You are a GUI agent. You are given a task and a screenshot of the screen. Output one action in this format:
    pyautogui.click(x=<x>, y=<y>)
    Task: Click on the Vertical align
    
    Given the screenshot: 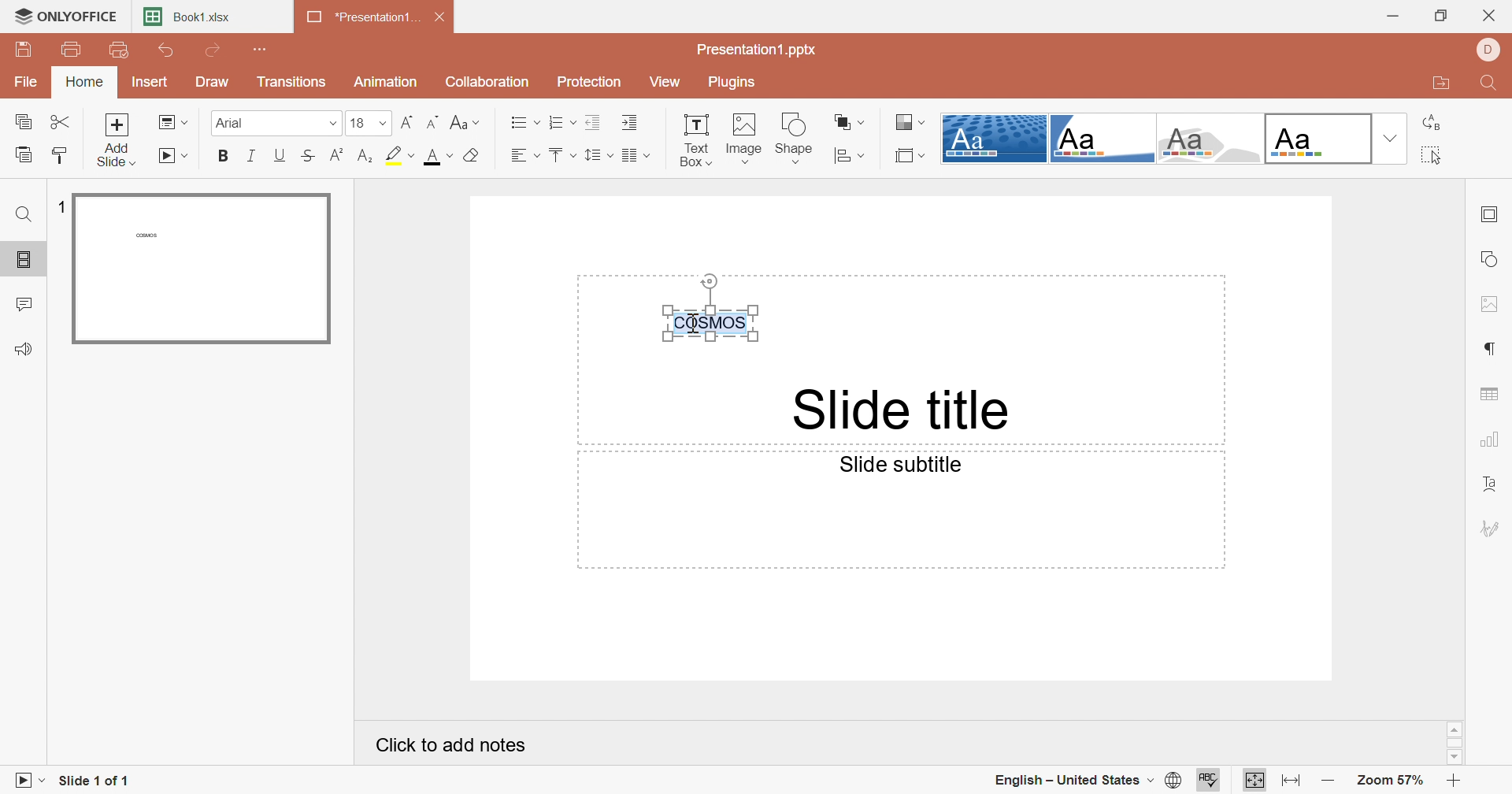 What is the action you would take?
    pyautogui.click(x=560, y=154)
    